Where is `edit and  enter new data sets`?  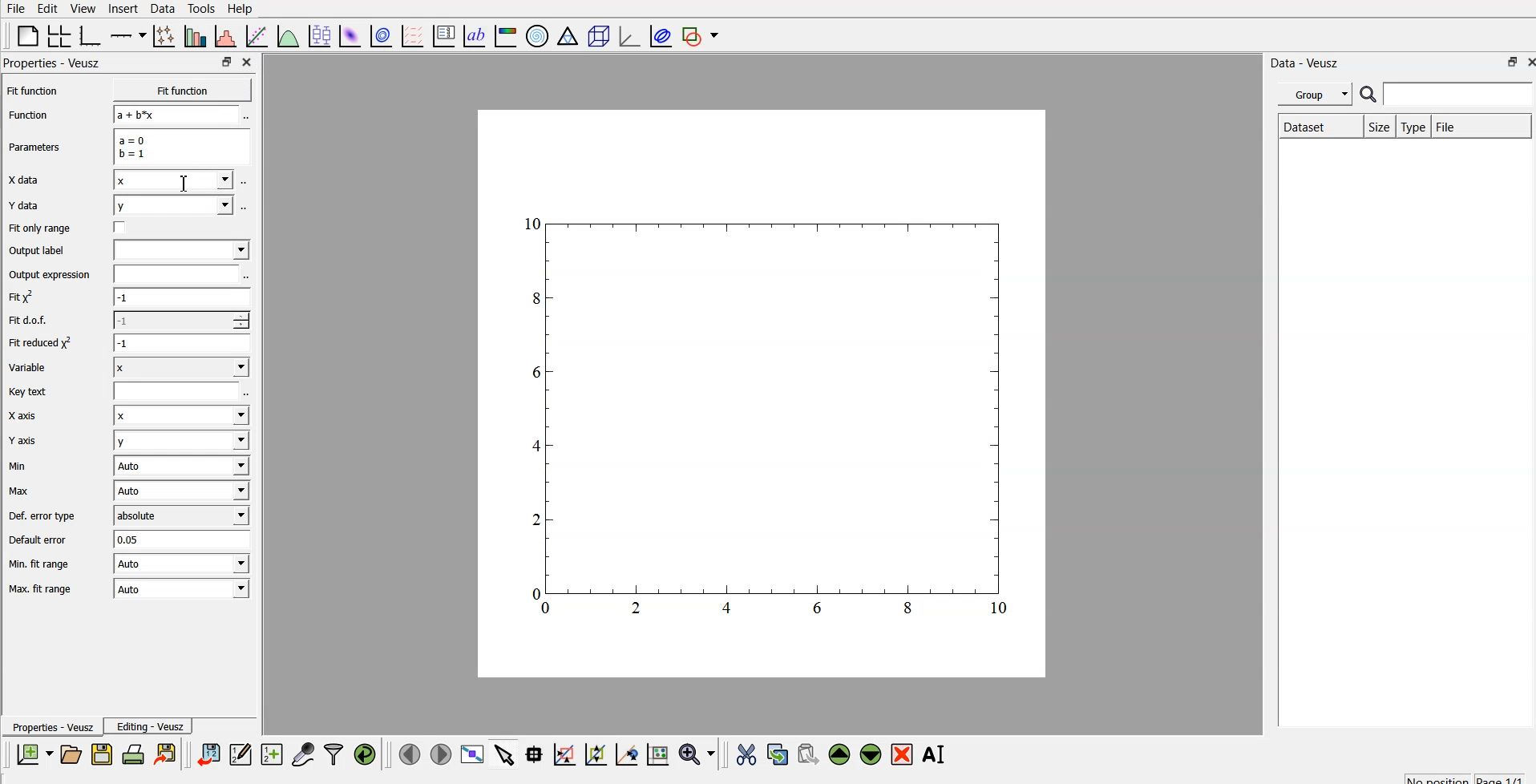 edit and  enter new data sets is located at coordinates (243, 755).